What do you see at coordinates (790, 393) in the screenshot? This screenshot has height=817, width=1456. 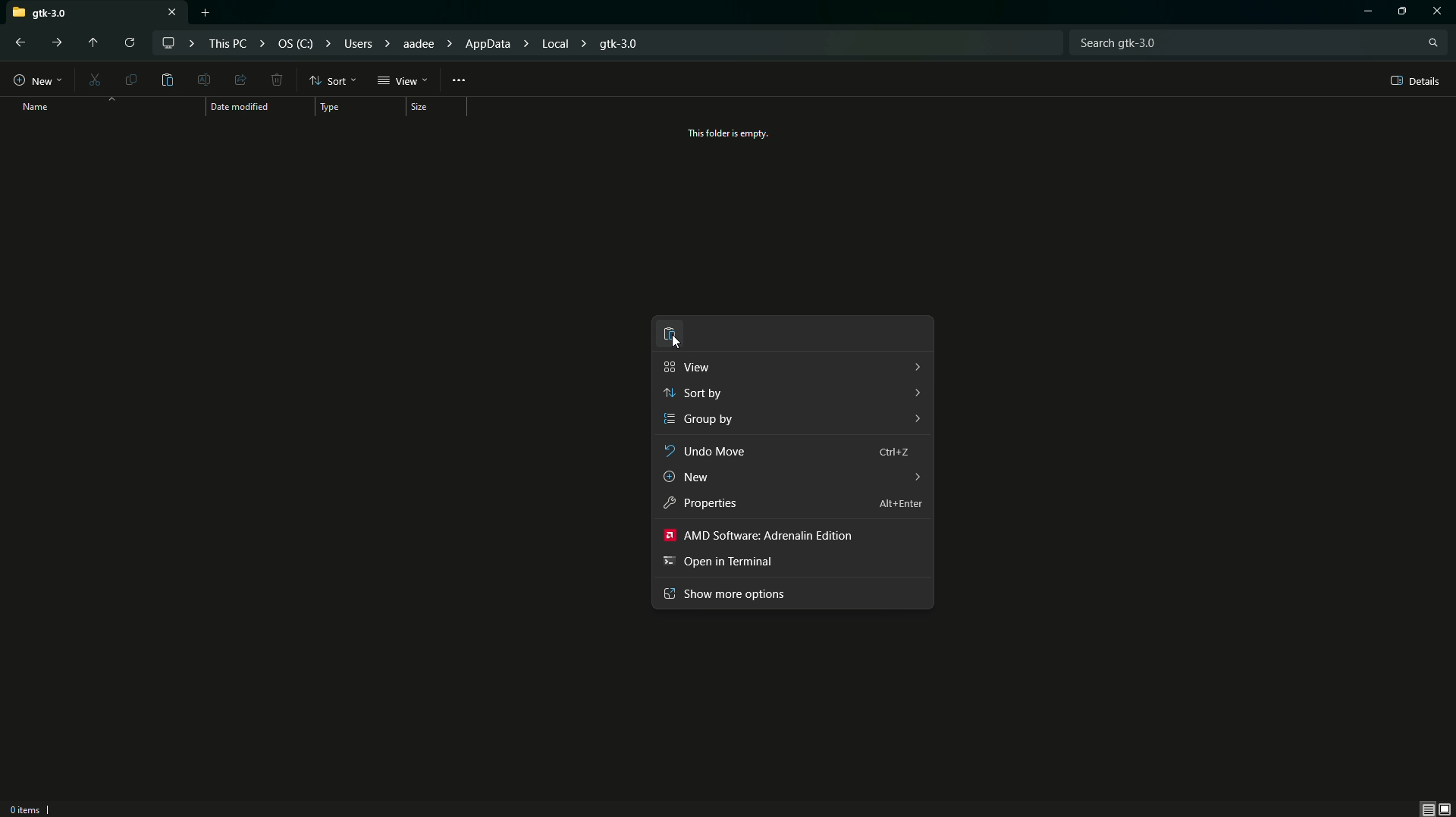 I see `Sort by` at bounding box center [790, 393].